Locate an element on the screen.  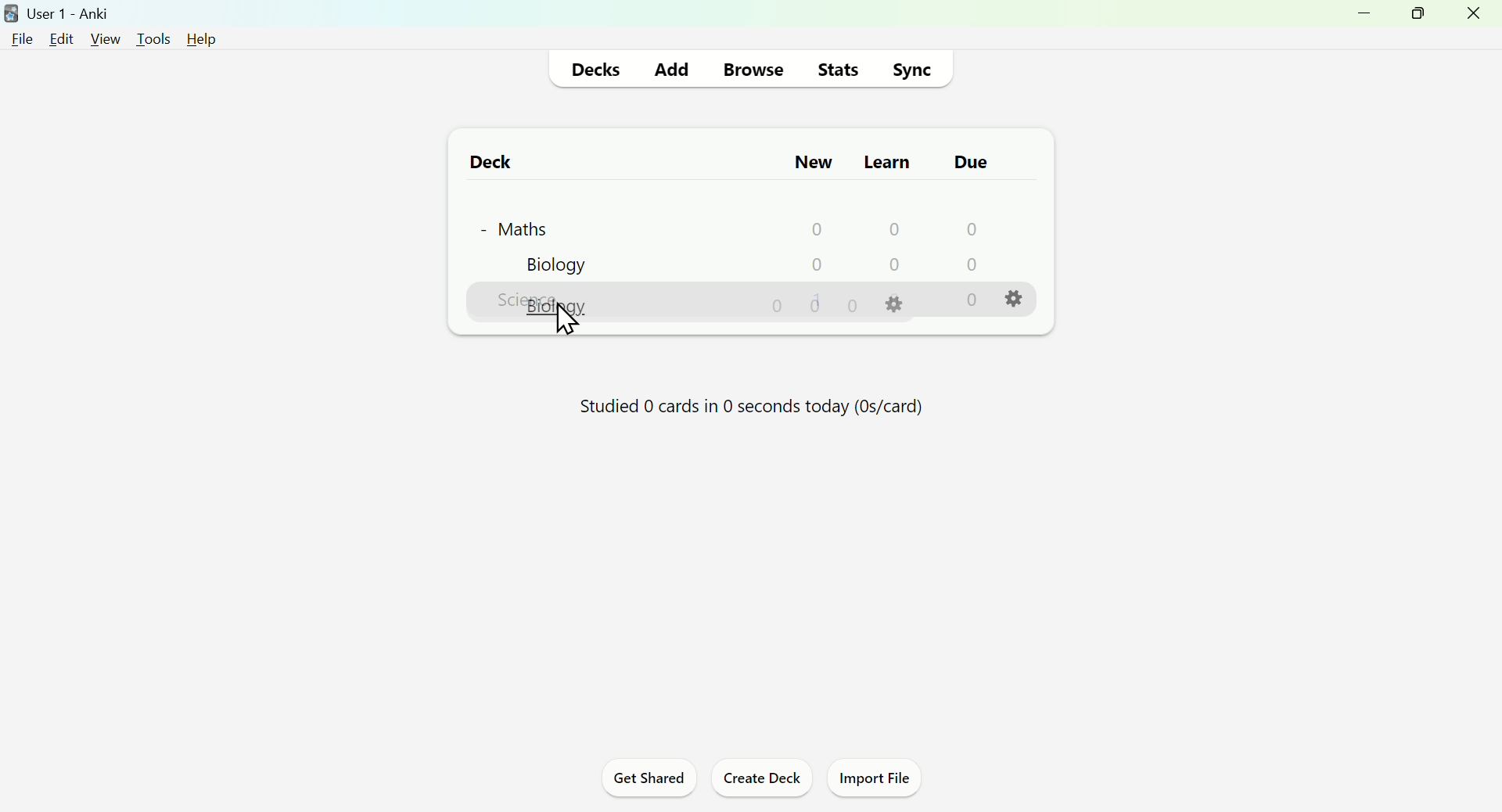
Settings is located at coordinates (897, 304).